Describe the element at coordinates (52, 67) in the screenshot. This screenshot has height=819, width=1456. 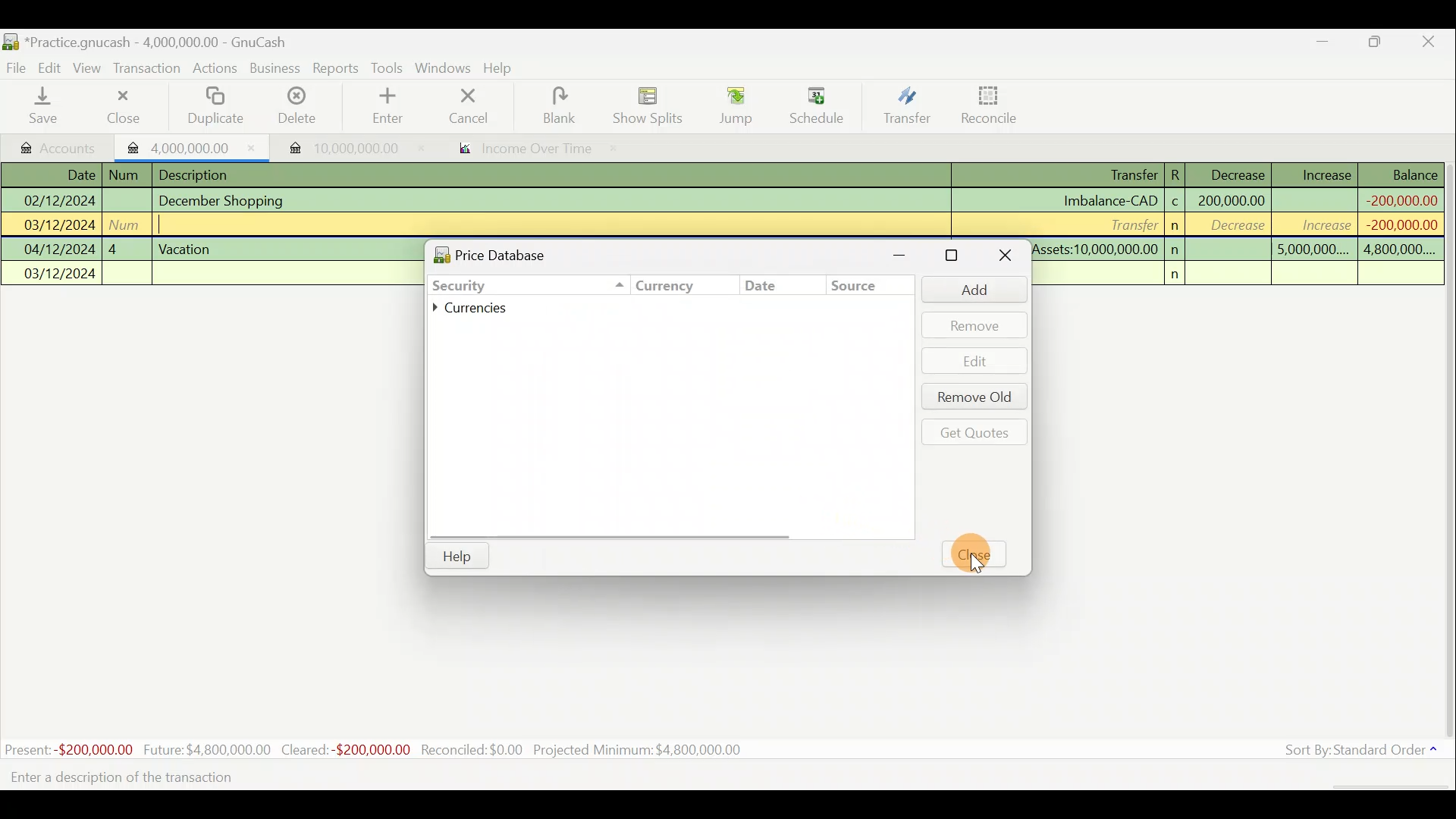
I see `Edit` at that location.